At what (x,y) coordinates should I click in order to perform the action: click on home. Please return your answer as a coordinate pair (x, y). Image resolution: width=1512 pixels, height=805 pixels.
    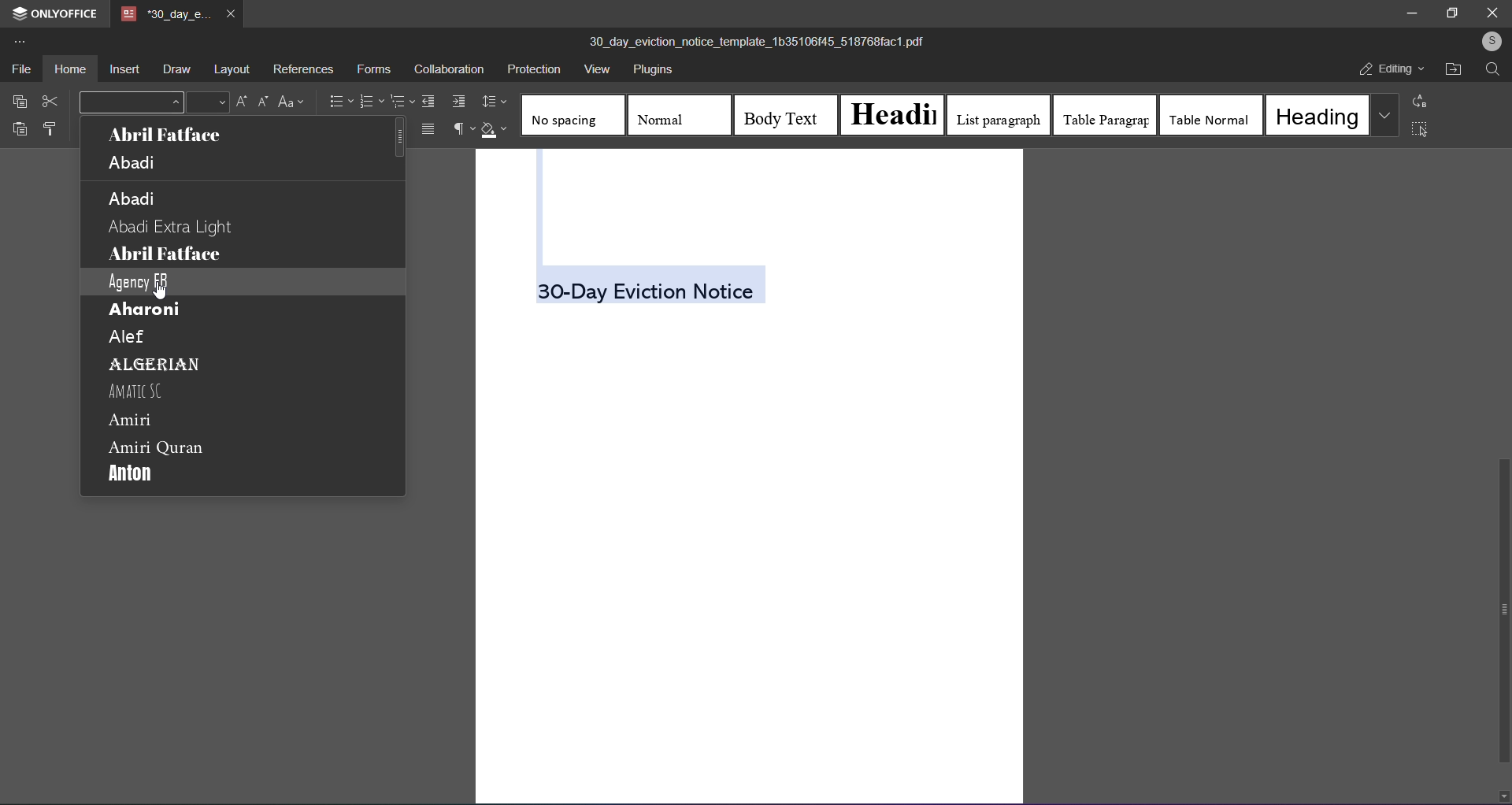
    Looking at the image, I should click on (69, 68).